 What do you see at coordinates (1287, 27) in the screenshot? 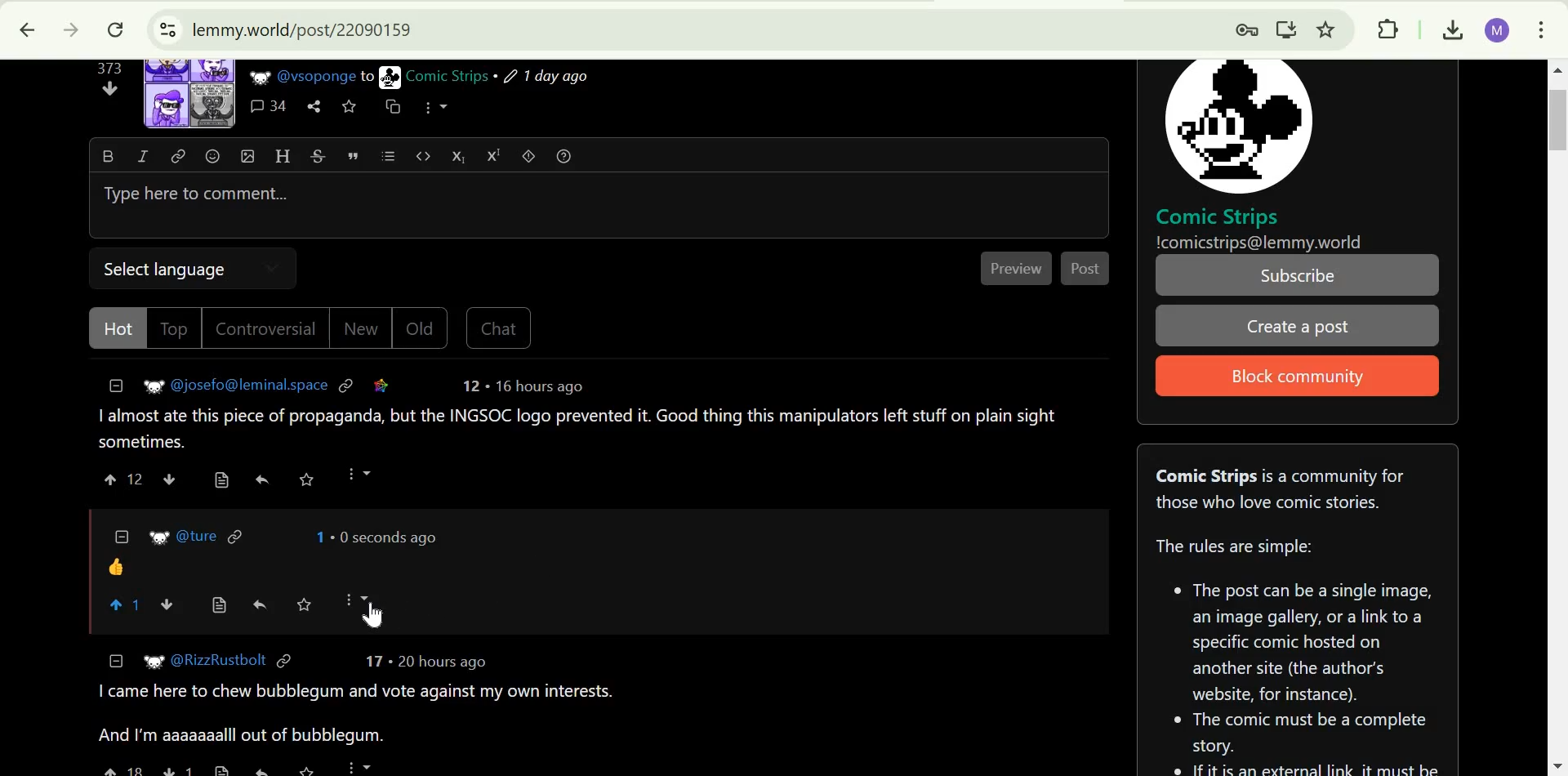
I see `Download Lemmy.World` at bounding box center [1287, 27].